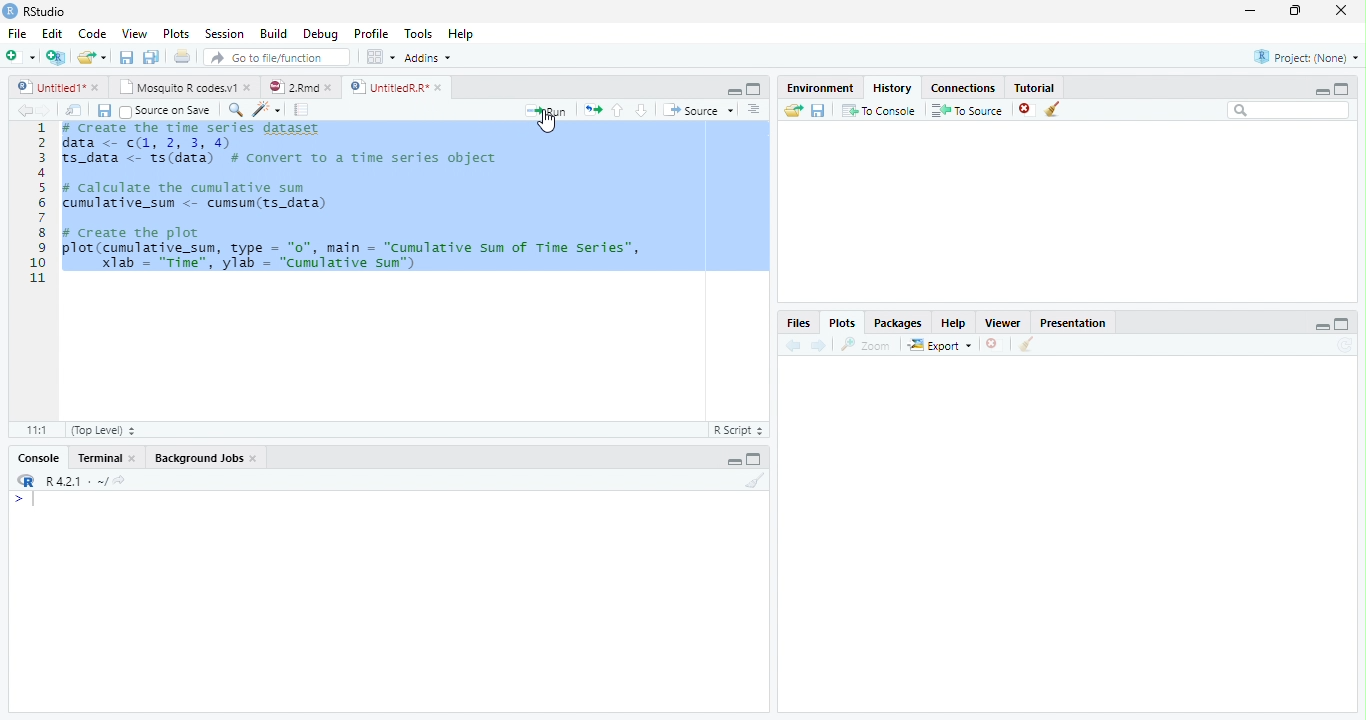 The width and height of the screenshot is (1366, 720). What do you see at coordinates (953, 324) in the screenshot?
I see `Help` at bounding box center [953, 324].